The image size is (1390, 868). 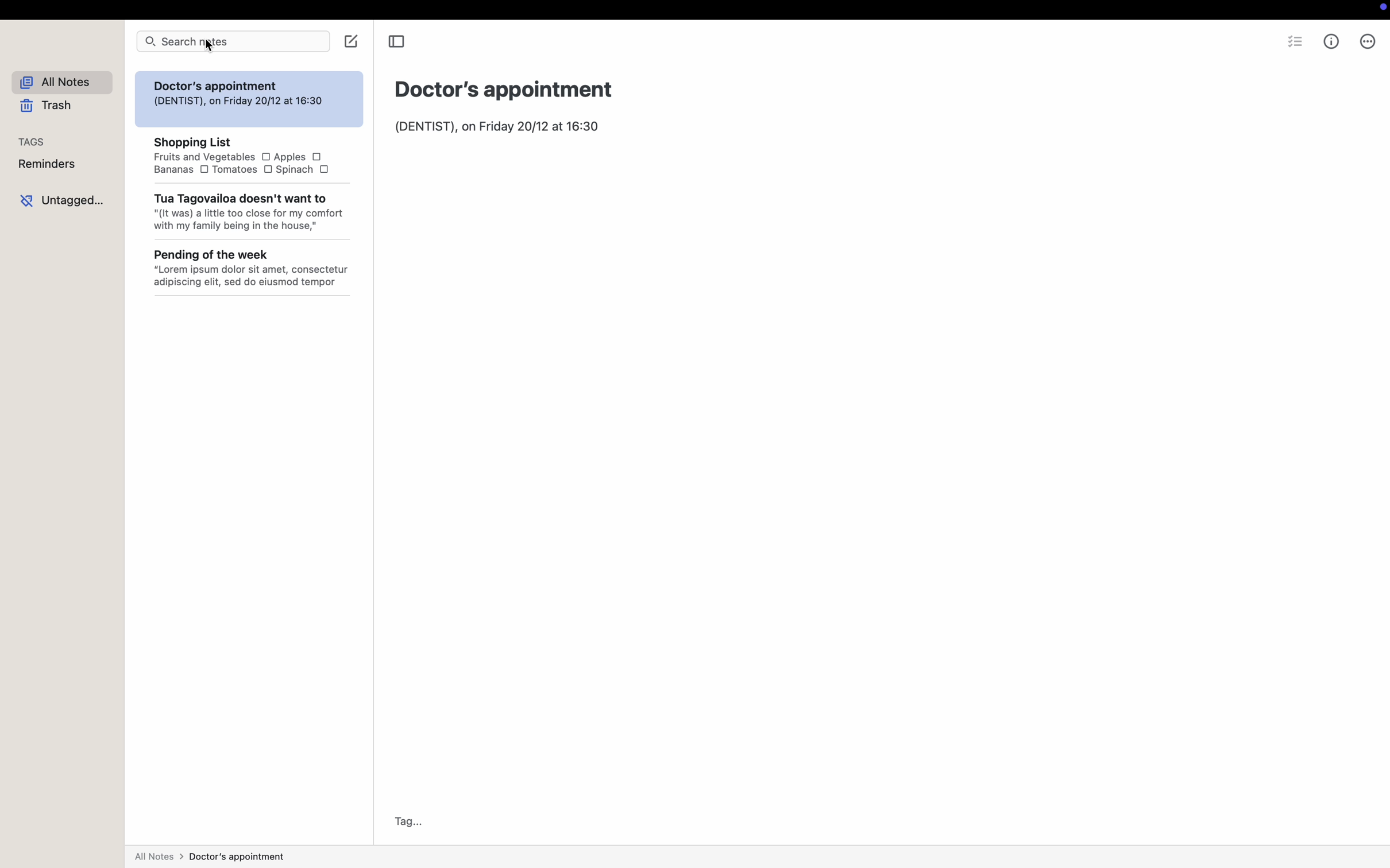 I want to click on reminders, so click(x=47, y=164).